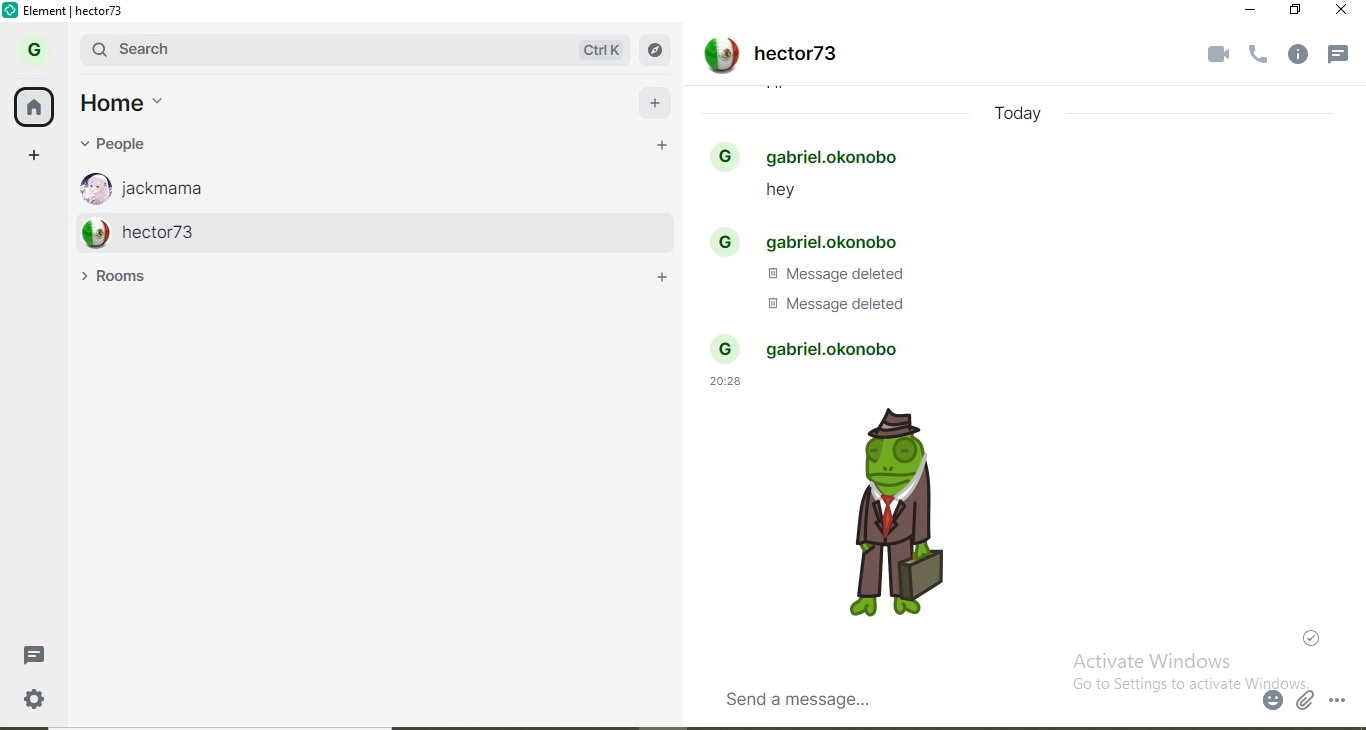 This screenshot has height=730, width=1366. I want to click on NAVIGATE, so click(656, 51).